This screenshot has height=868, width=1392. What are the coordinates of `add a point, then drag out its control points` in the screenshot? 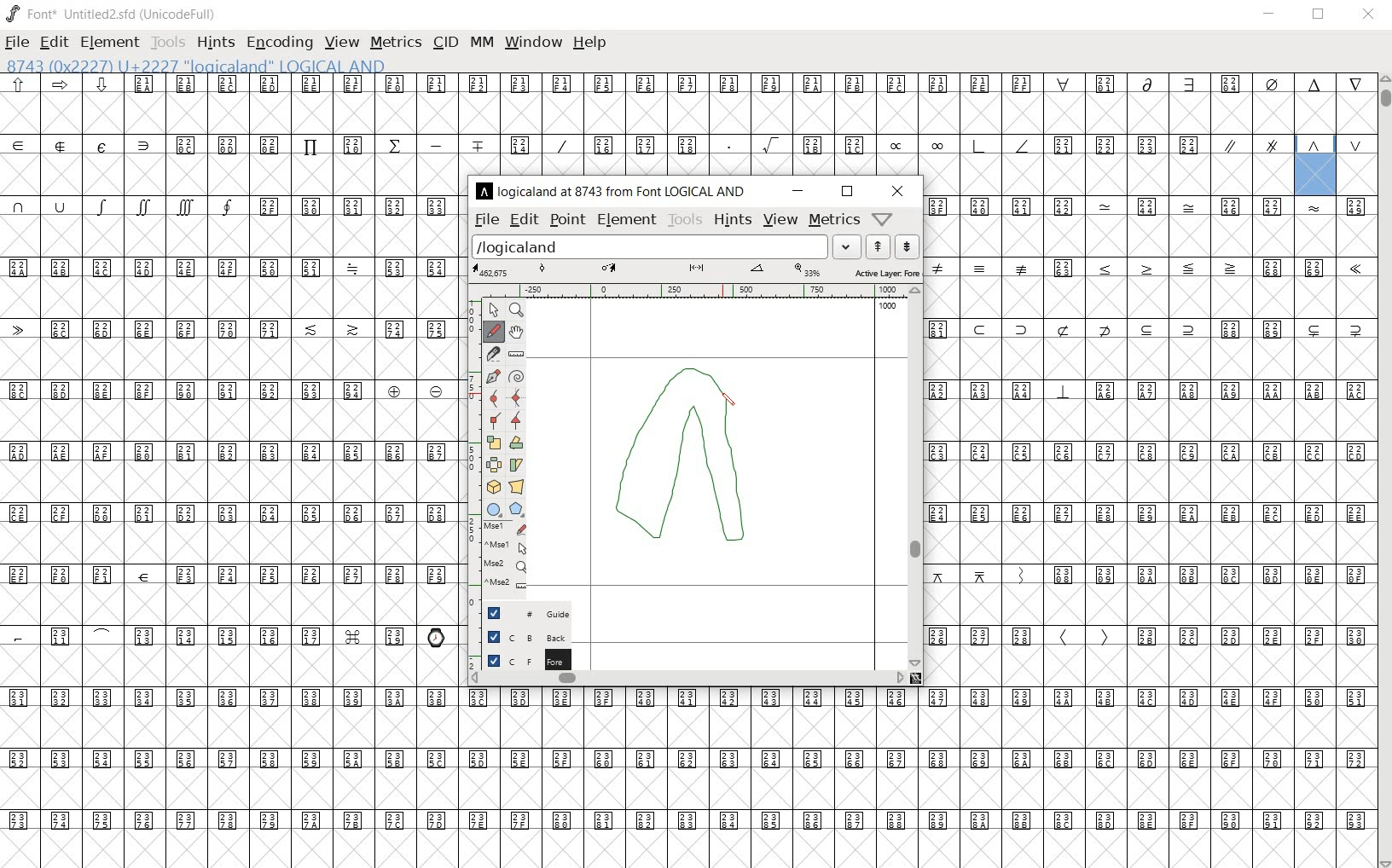 It's located at (495, 376).